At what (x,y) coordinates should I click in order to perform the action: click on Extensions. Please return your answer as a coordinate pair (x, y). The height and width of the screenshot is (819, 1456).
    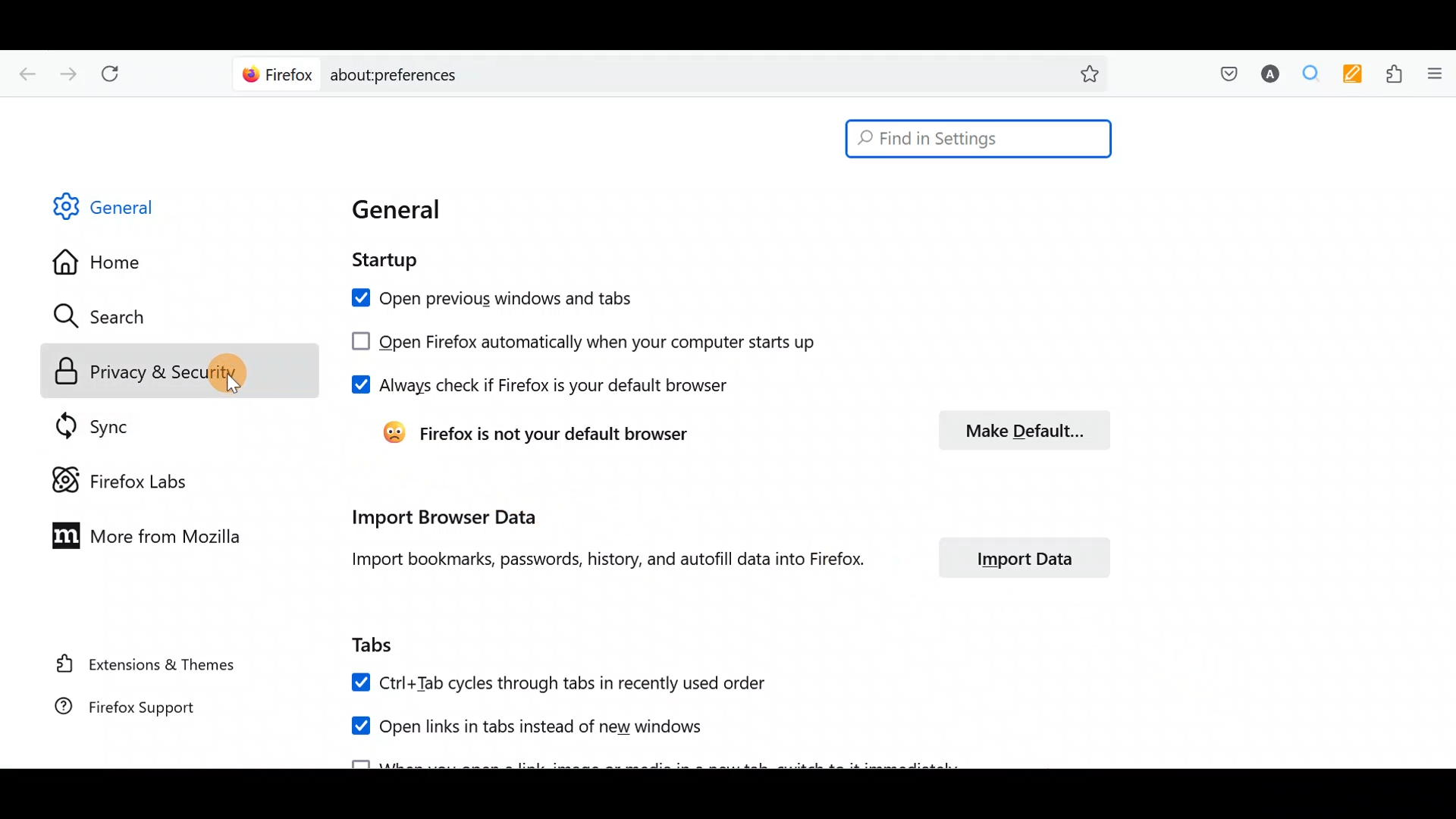
    Looking at the image, I should click on (1390, 74).